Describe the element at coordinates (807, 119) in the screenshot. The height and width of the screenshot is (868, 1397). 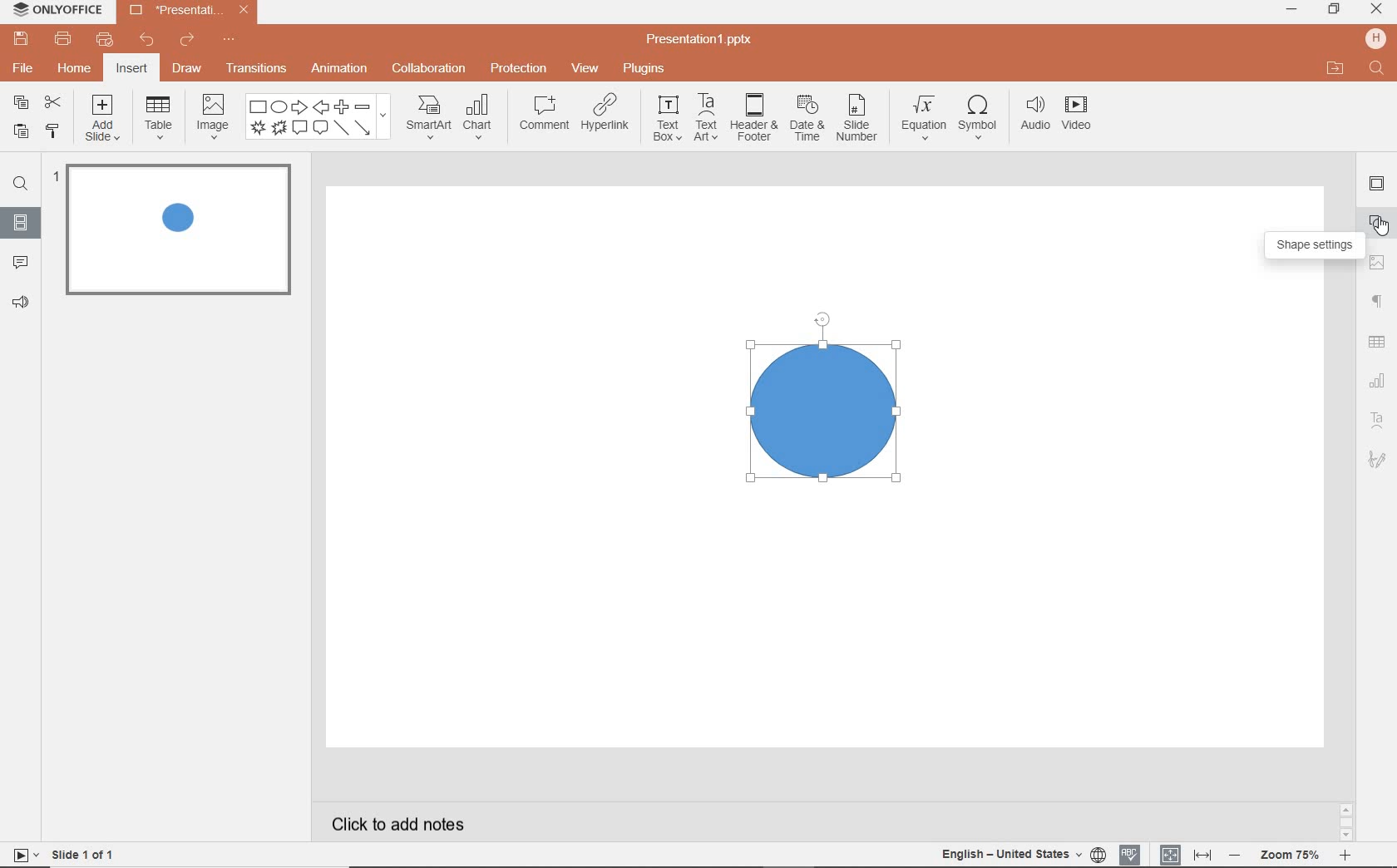
I see `date & time` at that location.